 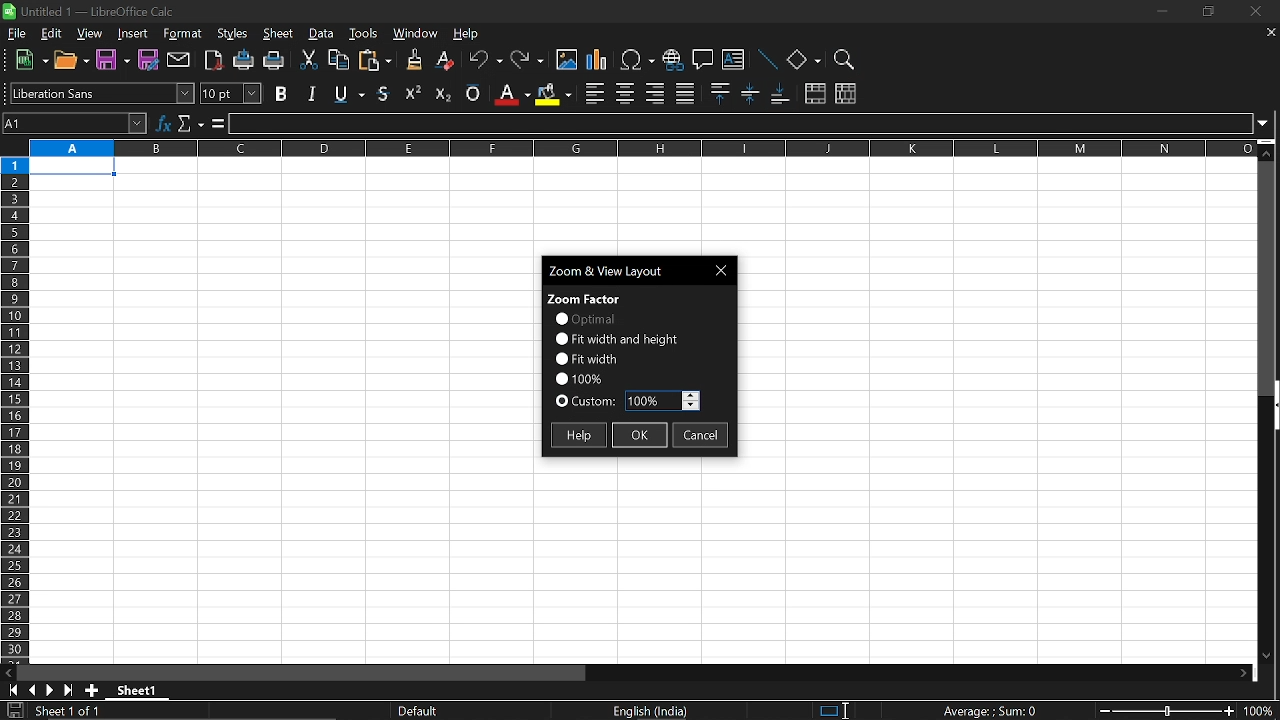 What do you see at coordinates (655, 93) in the screenshot?
I see `align right` at bounding box center [655, 93].